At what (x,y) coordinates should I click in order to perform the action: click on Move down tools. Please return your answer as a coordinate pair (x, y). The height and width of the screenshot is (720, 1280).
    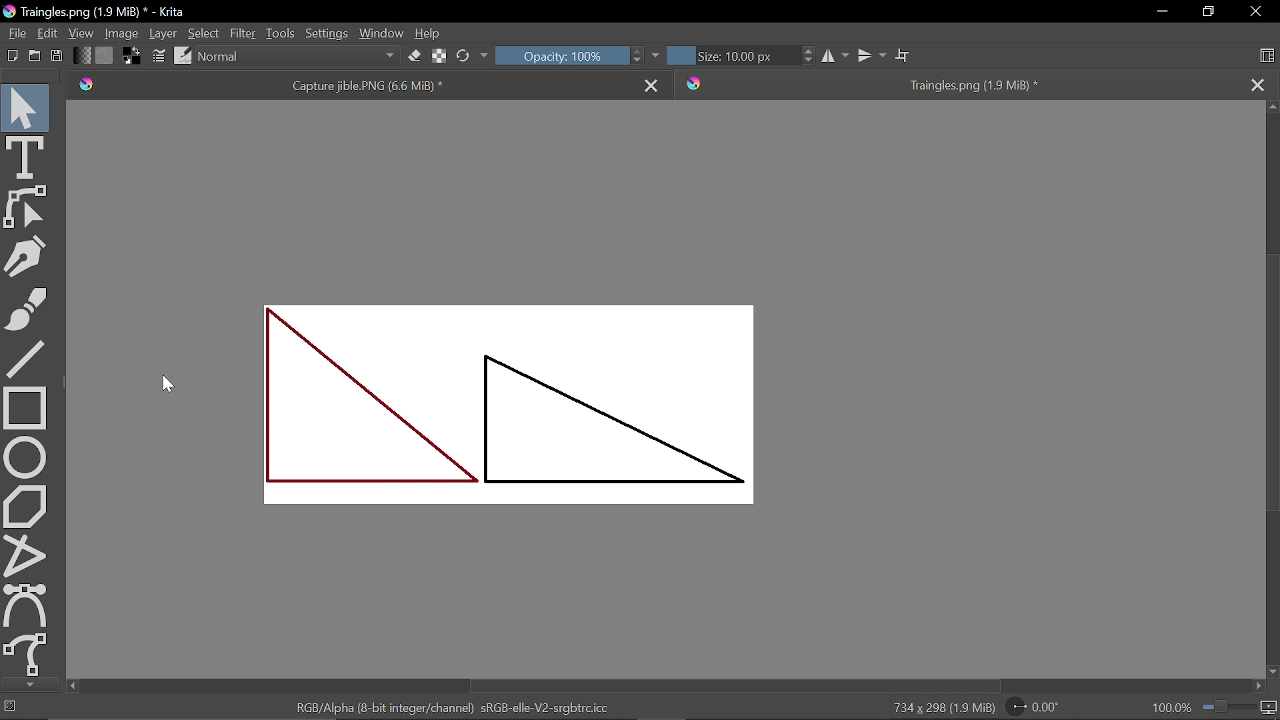
    Looking at the image, I should click on (28, 684).